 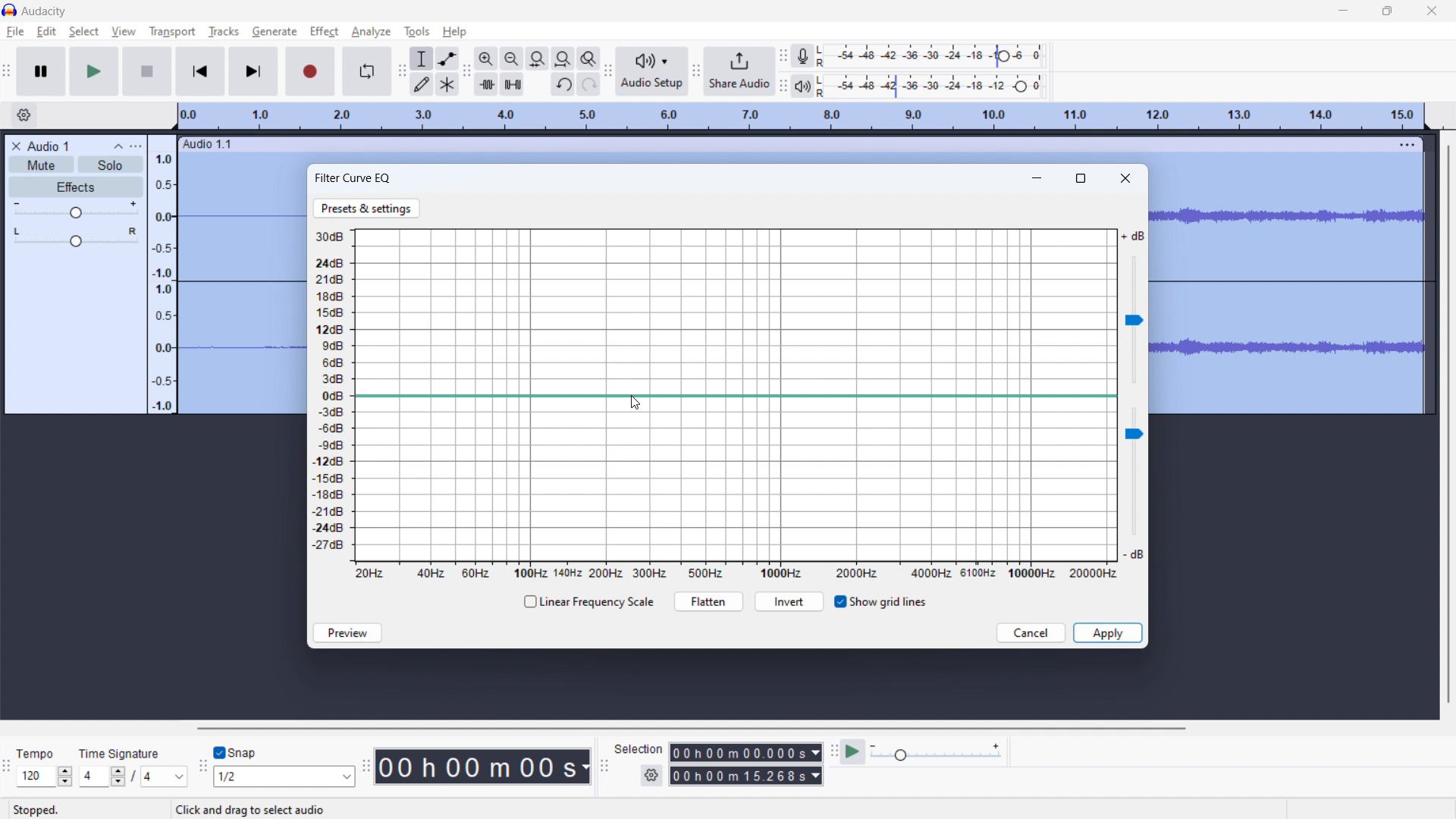 What do you see at coordinates (148, 71) in the screenshot?
I see `stop` at bounding box center [148, 71].